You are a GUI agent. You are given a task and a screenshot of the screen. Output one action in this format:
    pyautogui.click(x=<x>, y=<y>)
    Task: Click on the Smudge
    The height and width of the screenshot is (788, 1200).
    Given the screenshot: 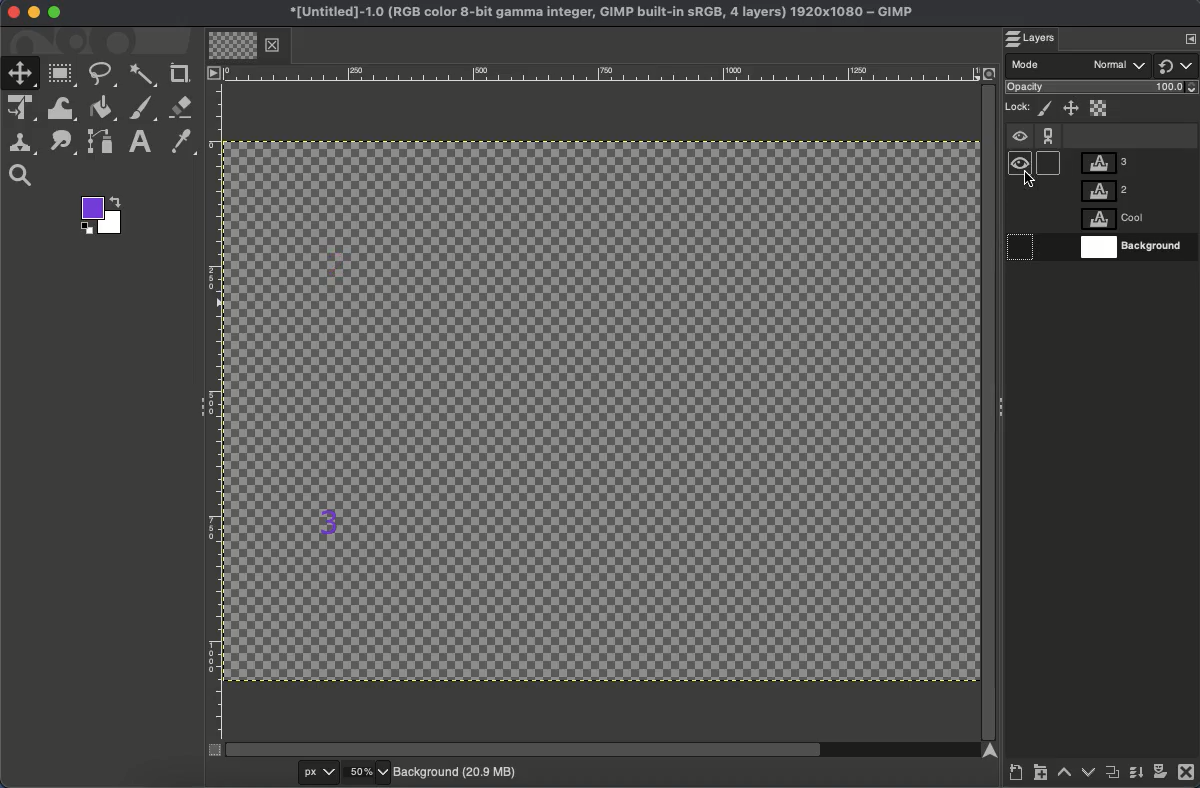 What is the action you would take?
    pyautogui.click(x=61, y=143)
    